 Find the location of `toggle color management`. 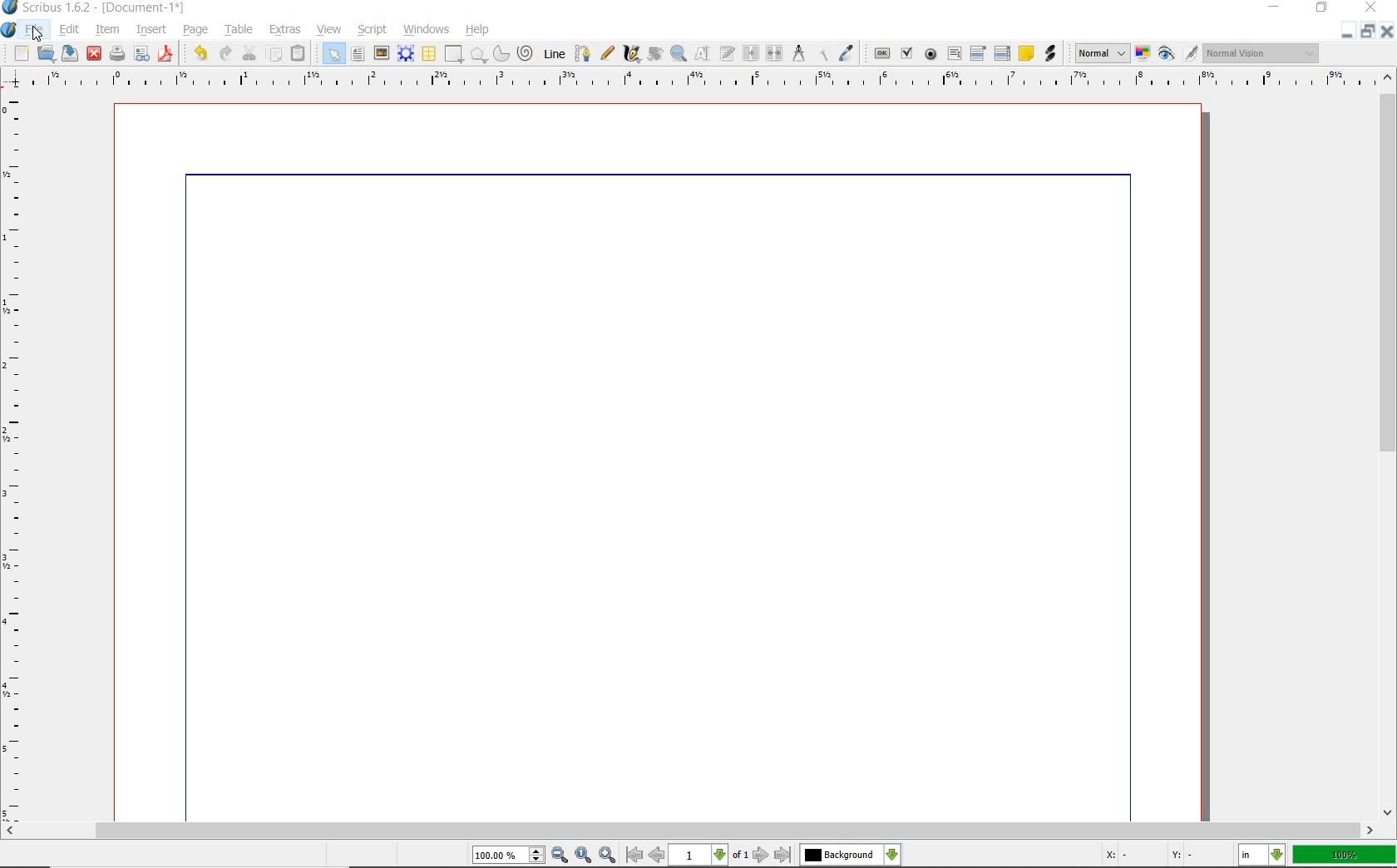

toggle color management is located at coordinates (1143, 53).